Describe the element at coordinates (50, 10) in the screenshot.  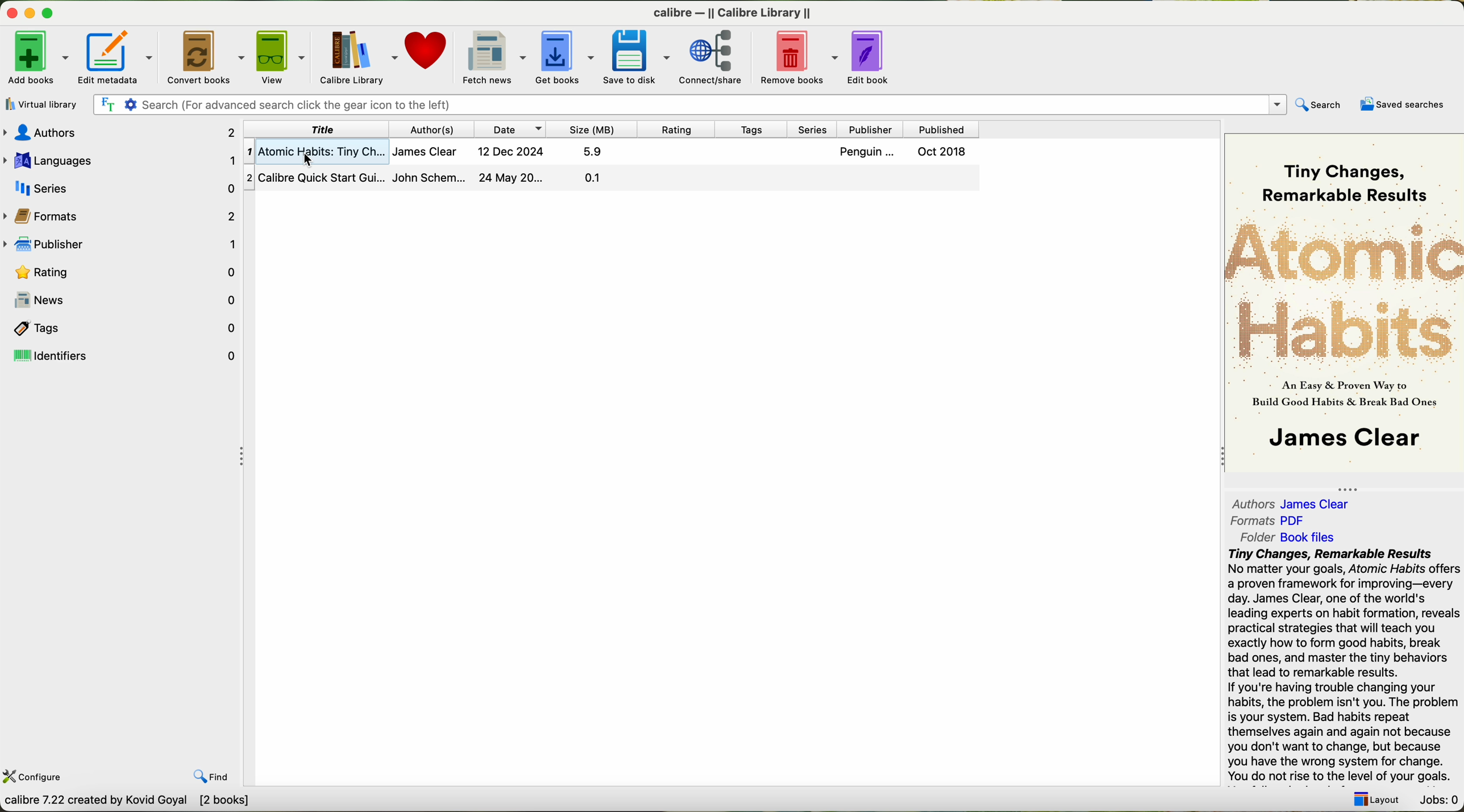
I see `maximize` at that location.